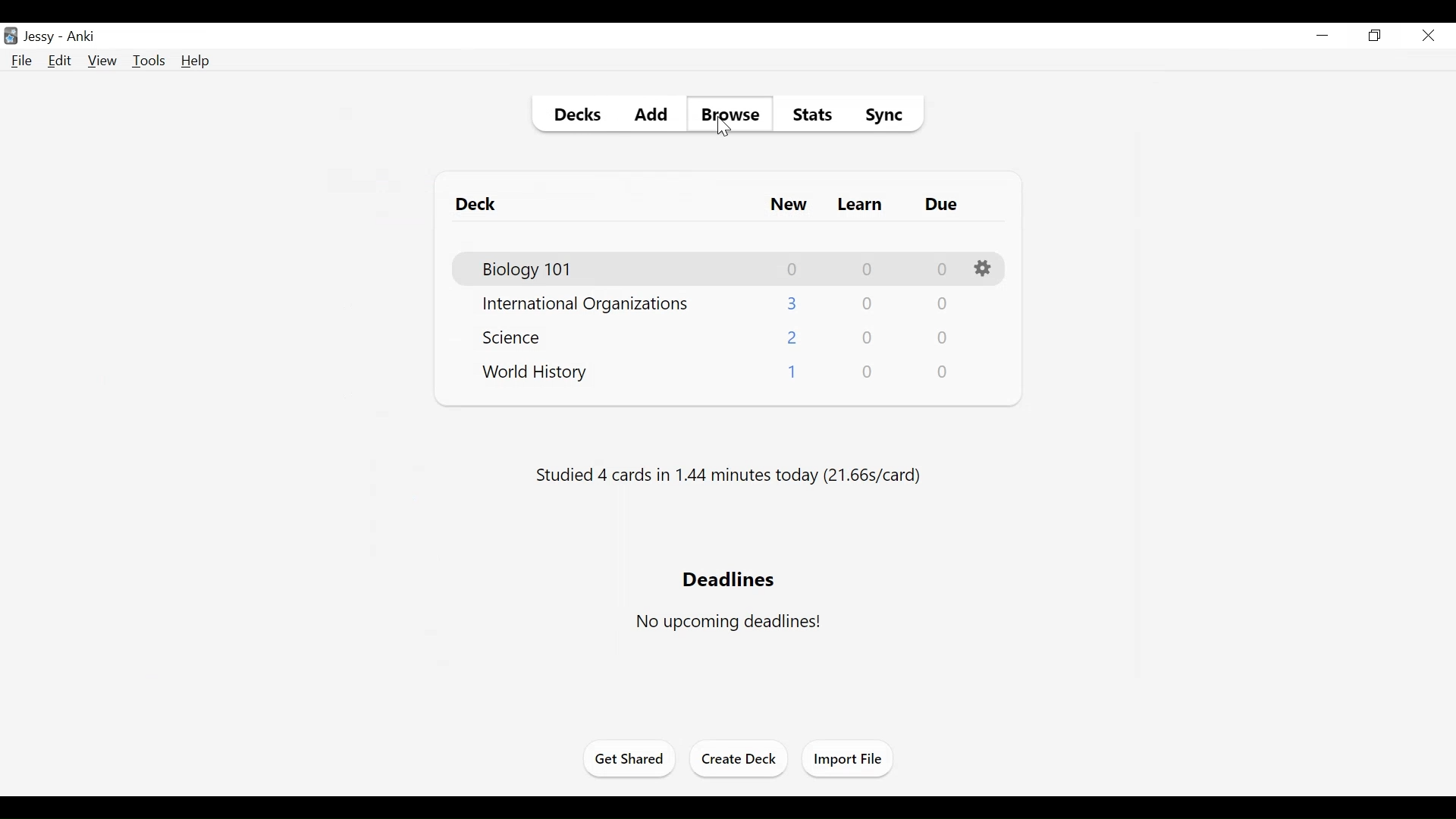 This screenshot has width=1456, height=819. Describe the element at coordinates (866, 372) in the screenshot. I see `Learn Card Count` at that location.